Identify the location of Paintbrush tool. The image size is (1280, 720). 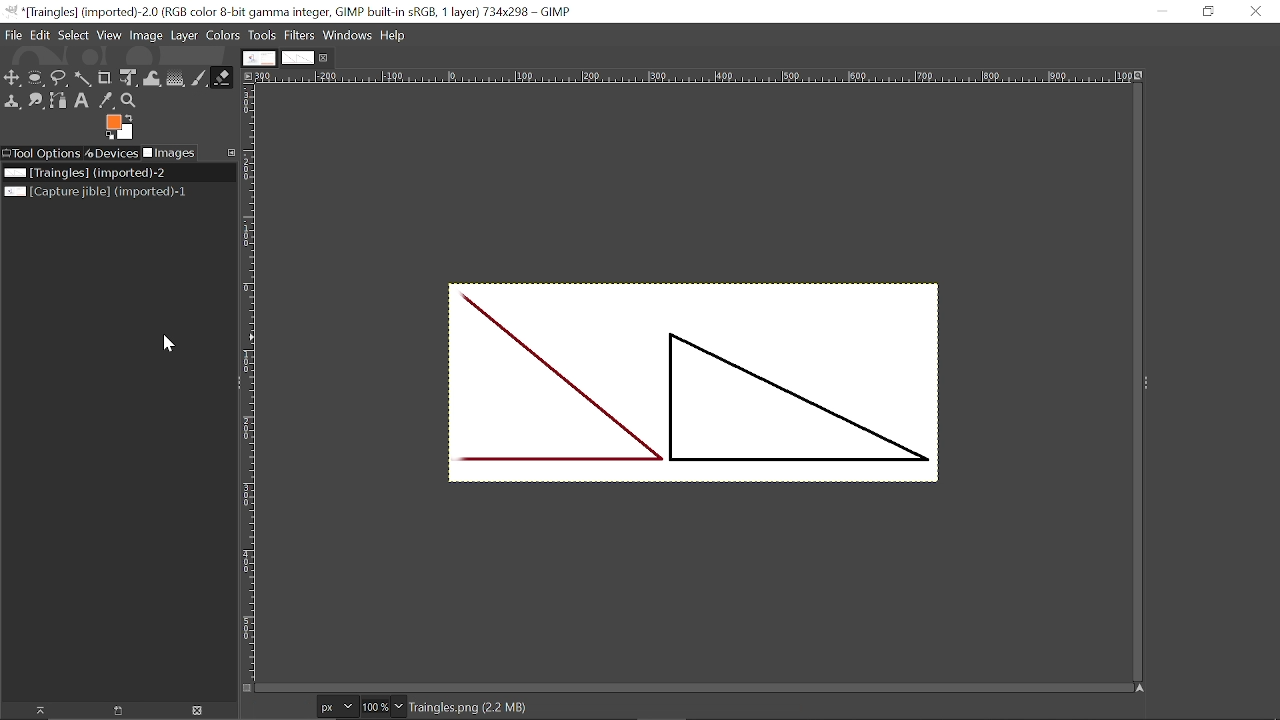
(199, 78).